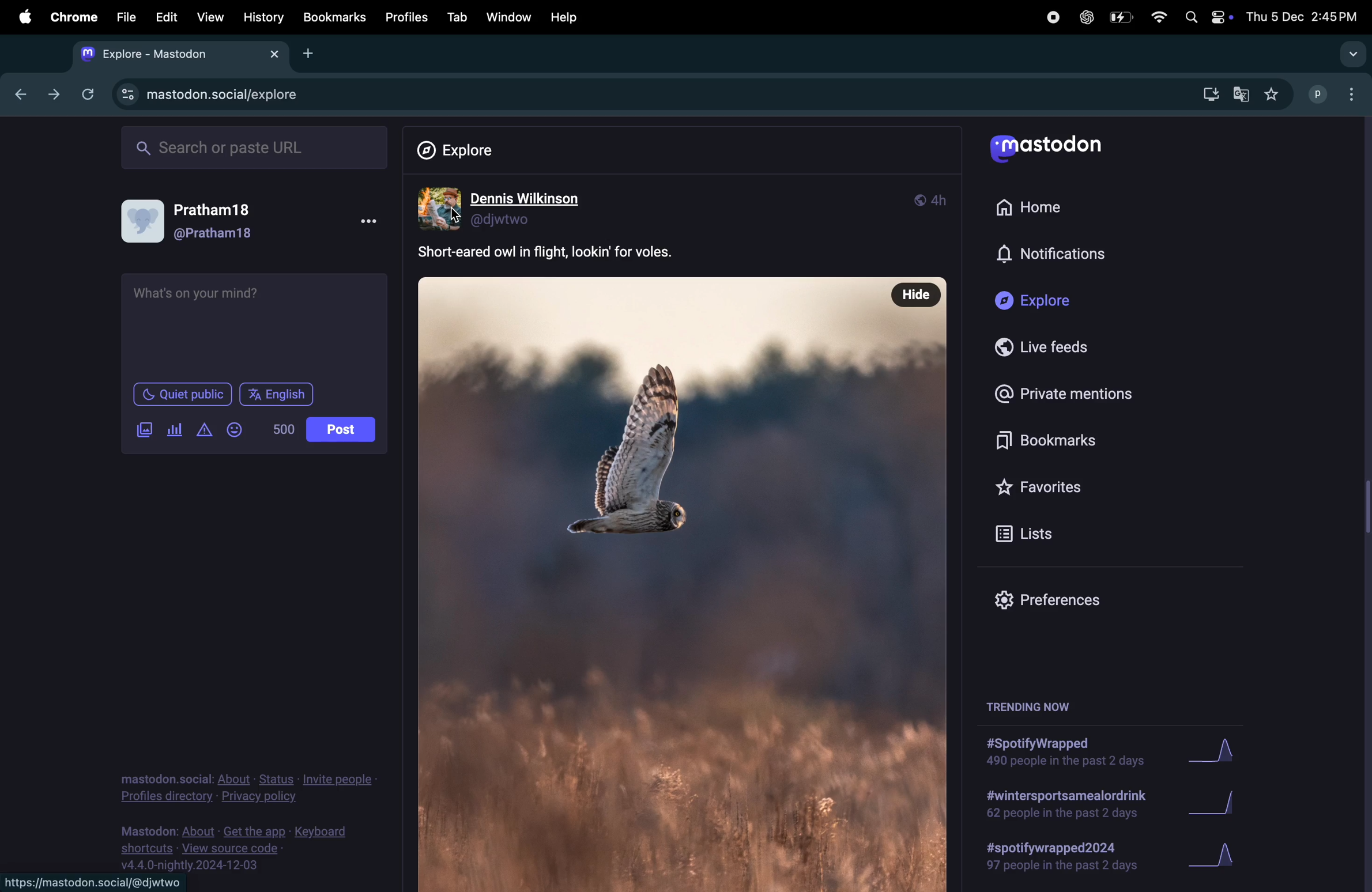 This screenshot has height=892, width=1372. I want to click on cursor, so click(458, 218).